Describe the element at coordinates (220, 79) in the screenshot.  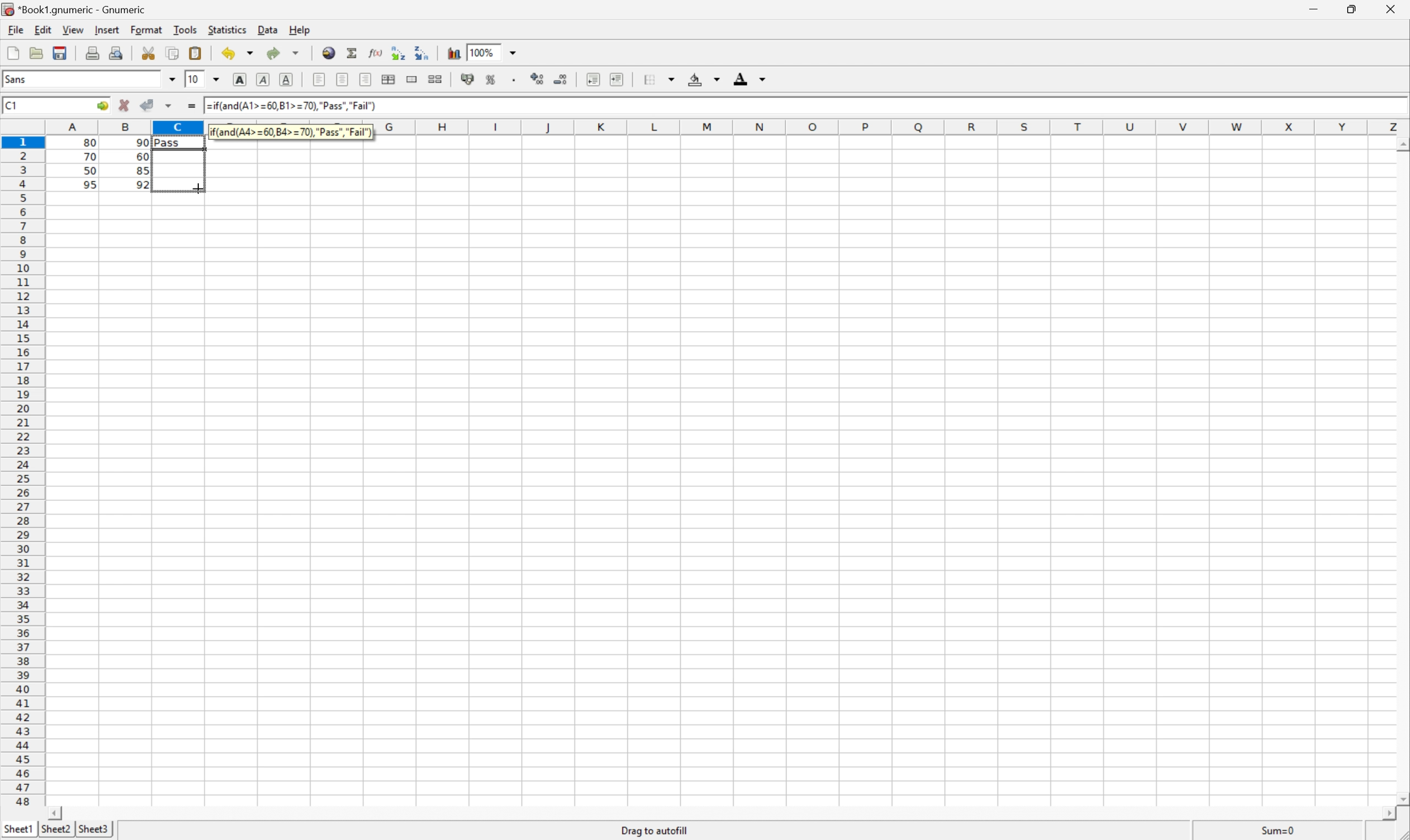
I see `Drop Down` at that location.